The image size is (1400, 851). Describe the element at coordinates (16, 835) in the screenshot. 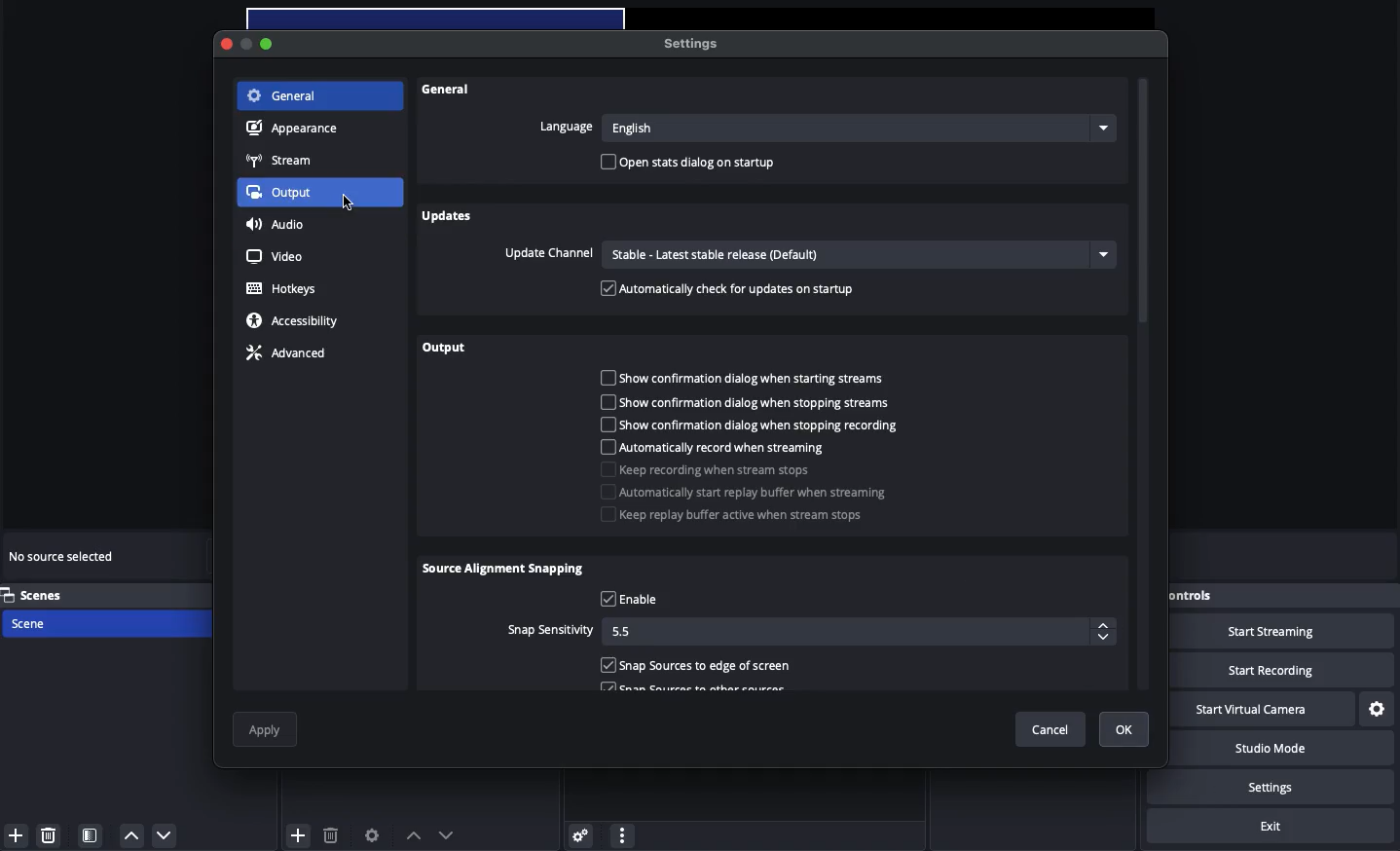

I see `Add` at that location.